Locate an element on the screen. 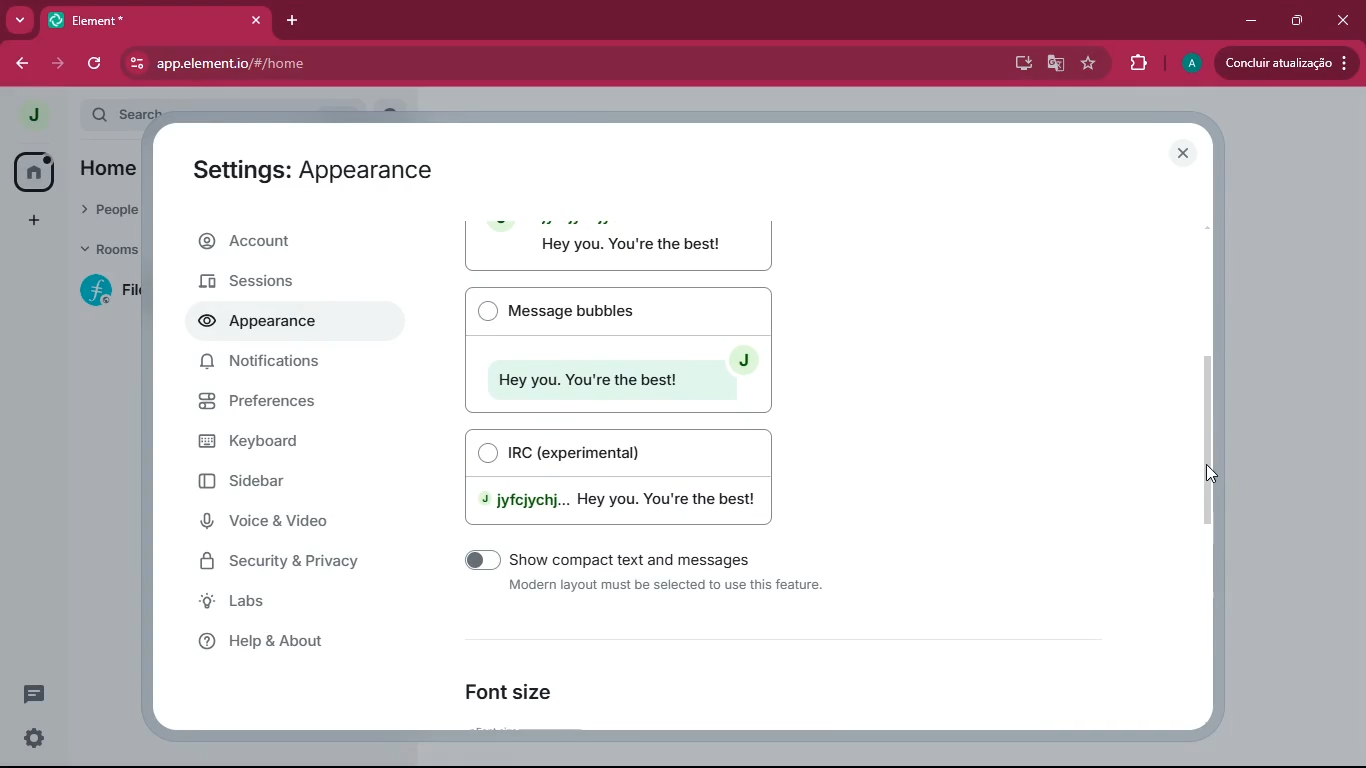 This screenshot has height=768, width=1366. account is located at coordinates (286, 243).